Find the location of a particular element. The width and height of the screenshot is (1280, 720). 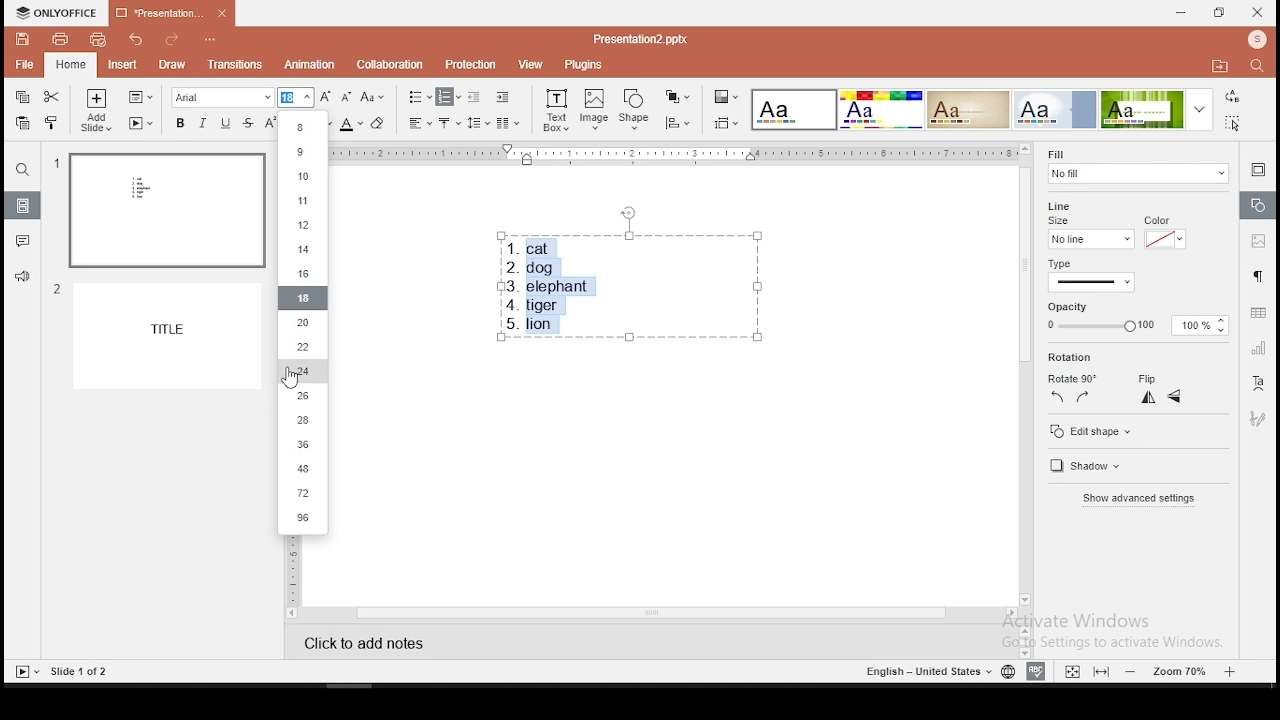

72 is located at coordinates (300, 493).